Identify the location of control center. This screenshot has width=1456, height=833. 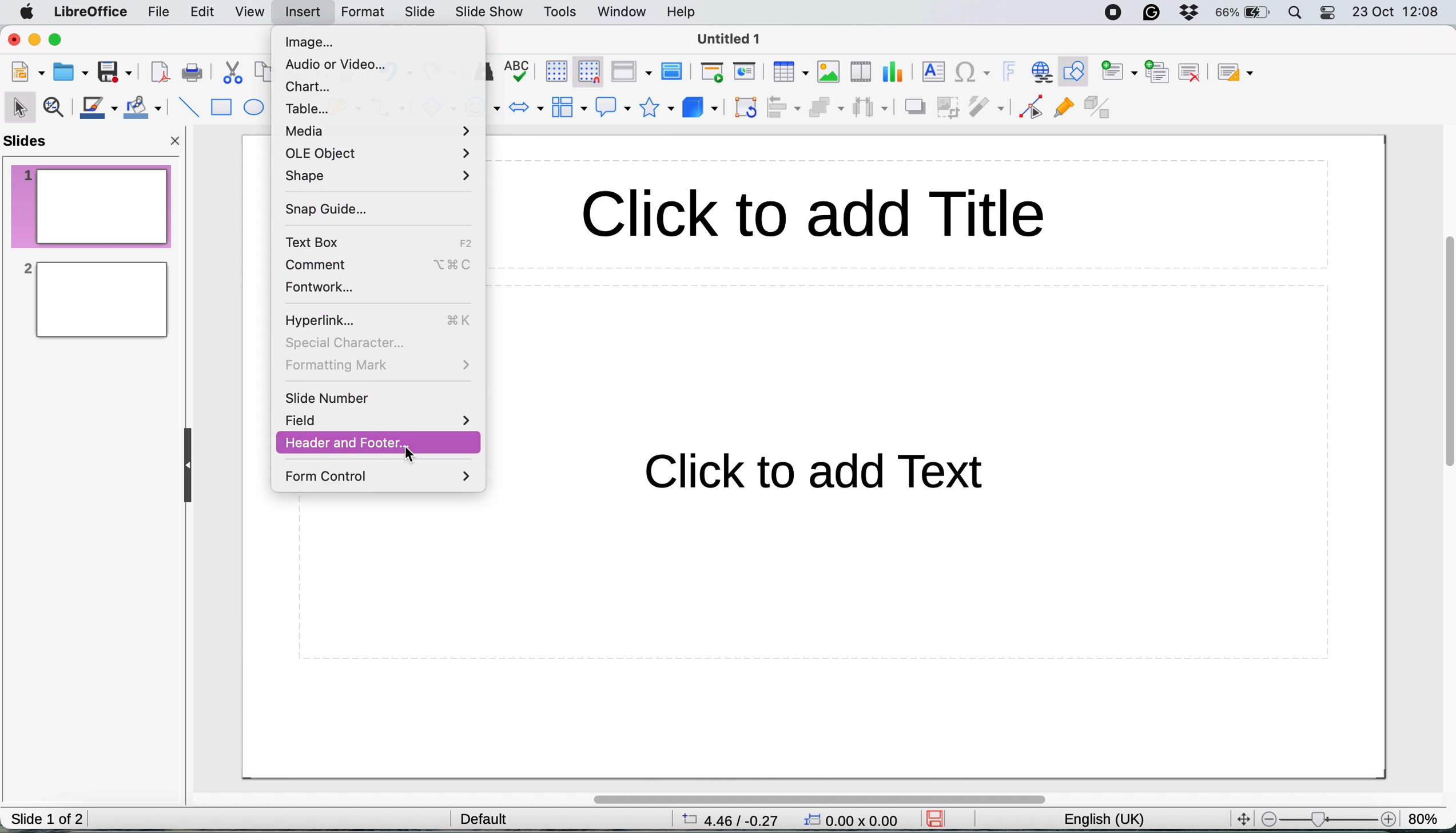
(1329, 14).